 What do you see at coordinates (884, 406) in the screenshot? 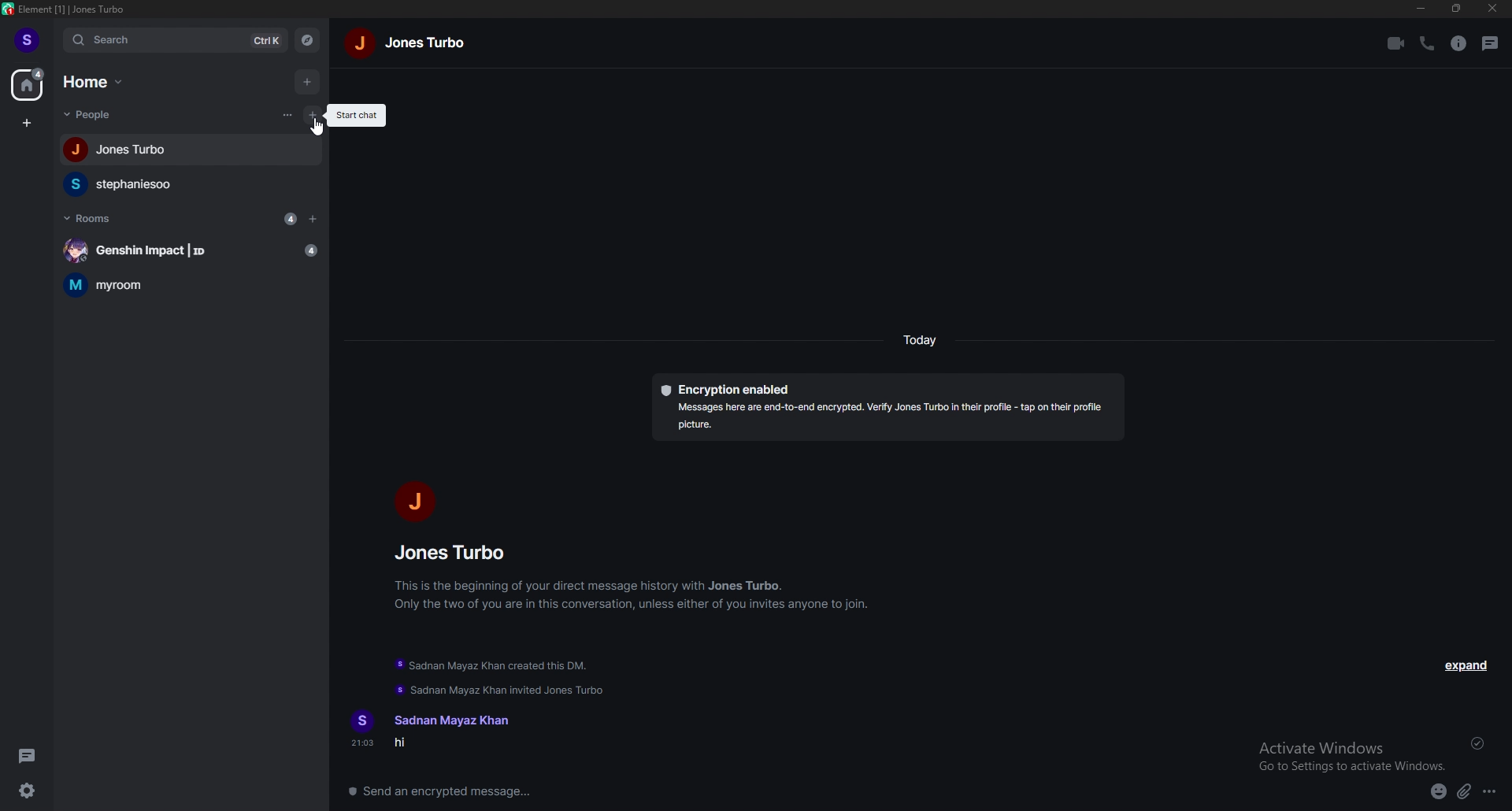
I see `Encryption enabled Messages here are end-to-end encrypted. Verify Jones Turbo in their profile - tap on their profile picture.` at bounding box center [884, 406].